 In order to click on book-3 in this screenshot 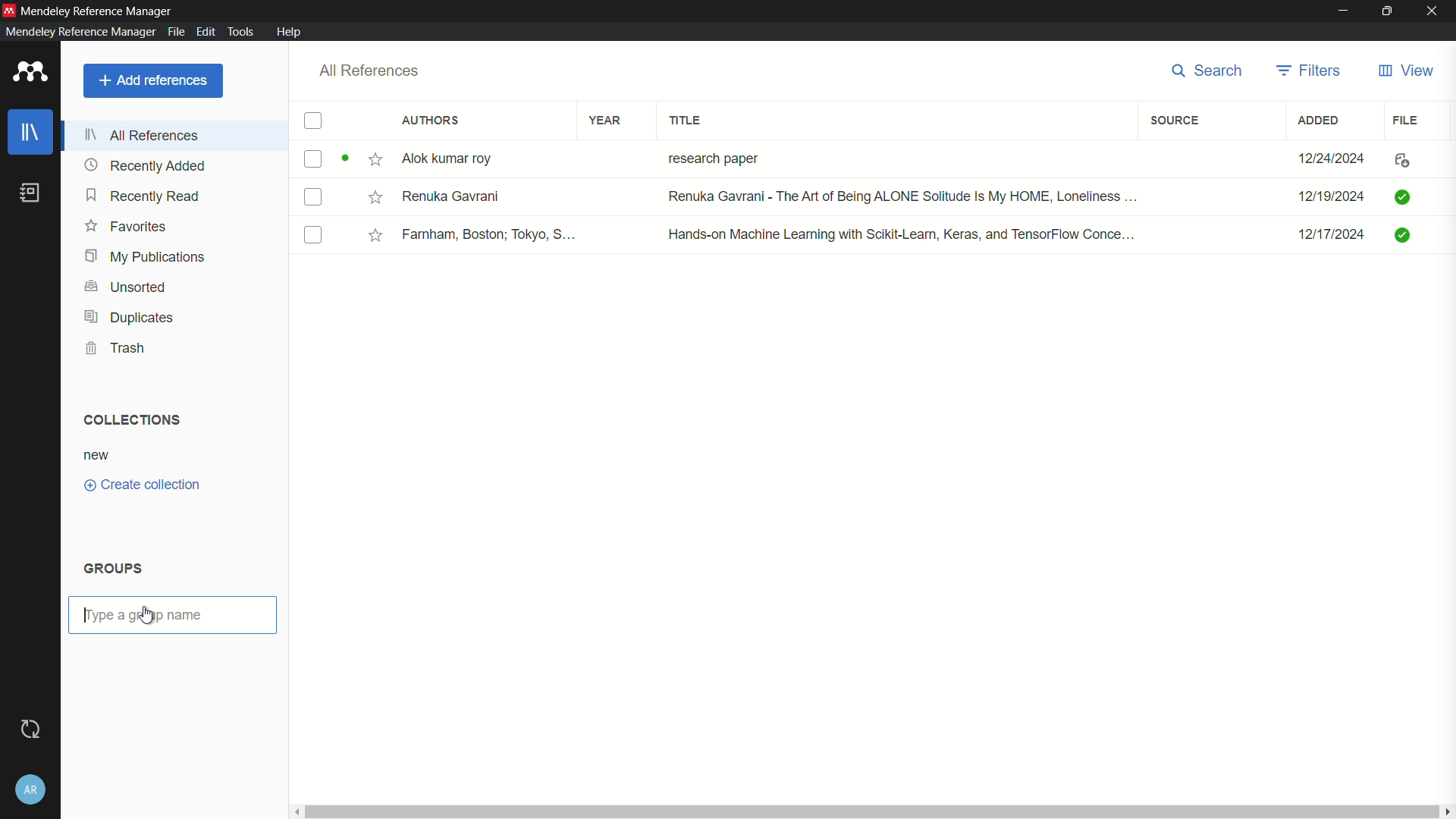, I will do `click(314, 236)`.